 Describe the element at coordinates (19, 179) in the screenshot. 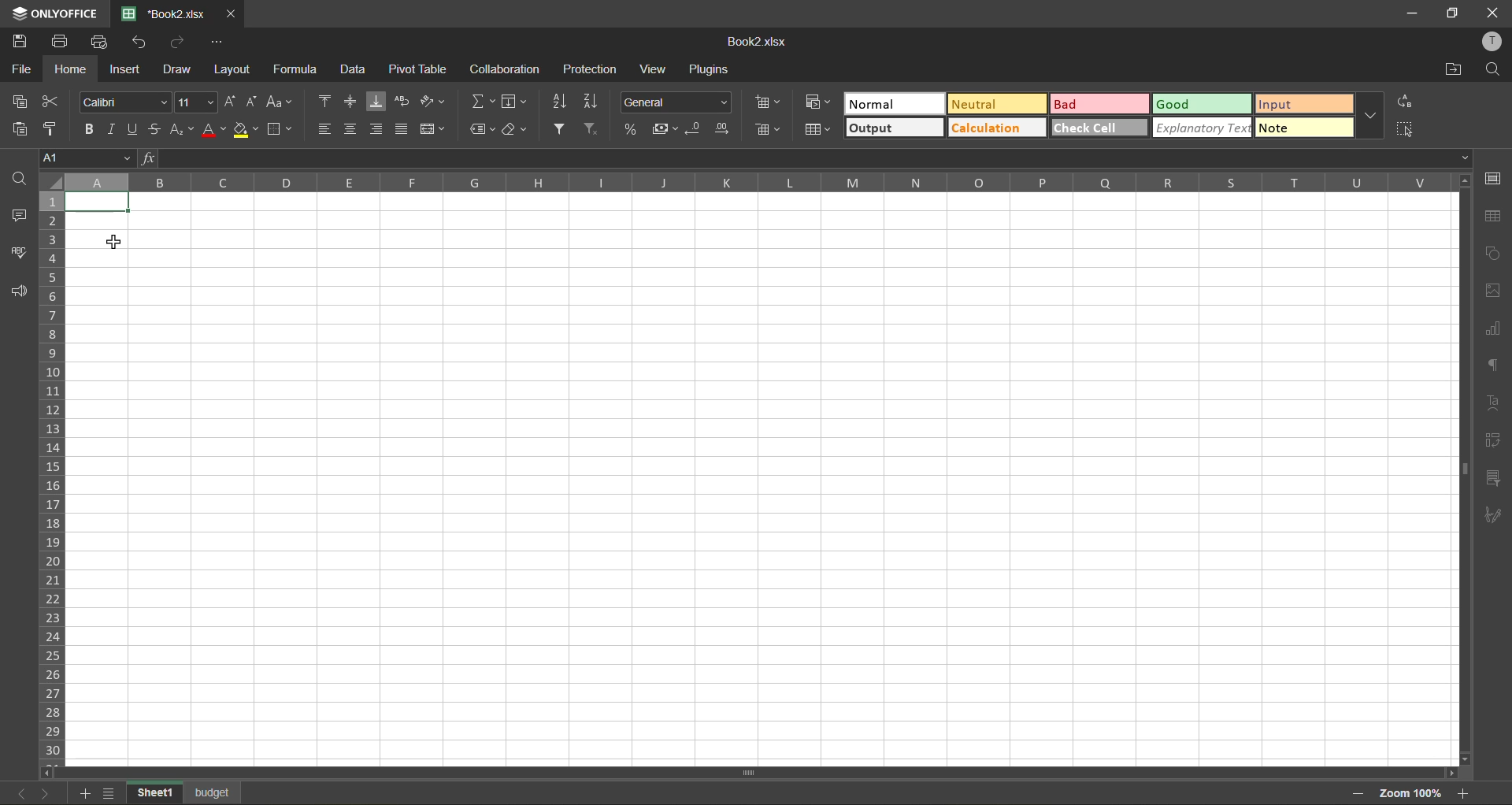

I see `find` at that location.